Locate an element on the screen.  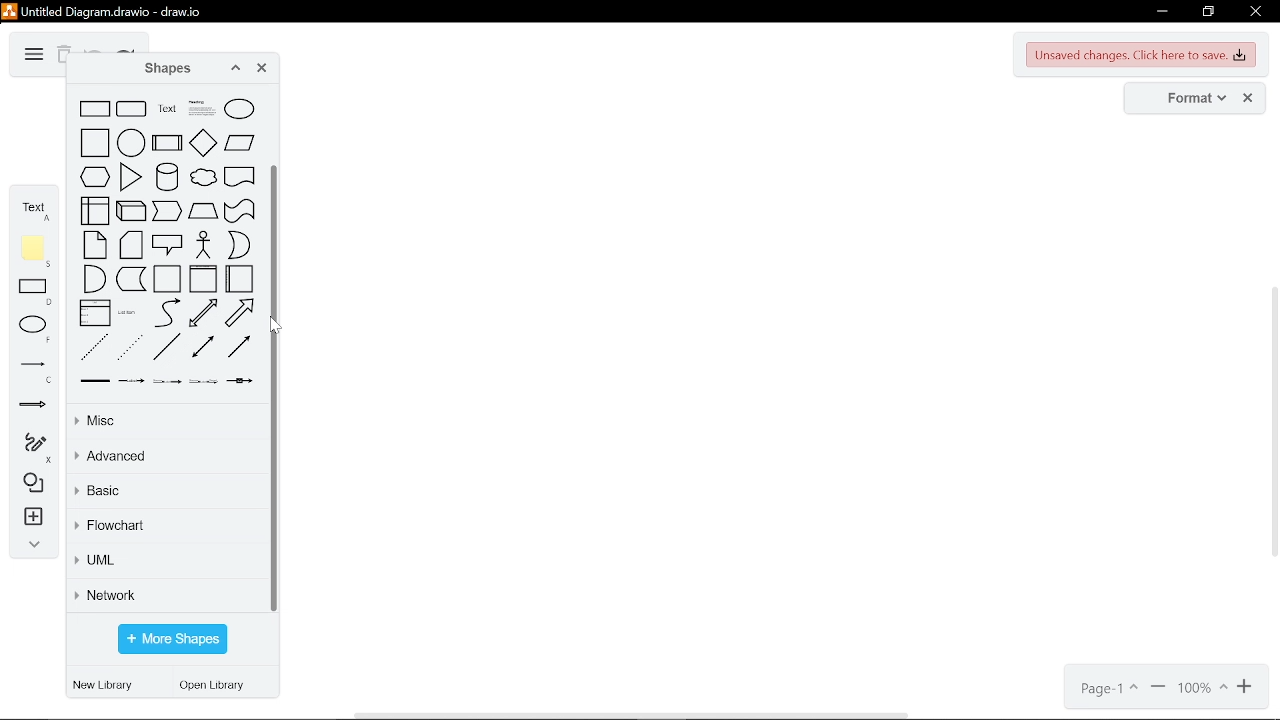
mouse up is located at coordinates (274, 328).